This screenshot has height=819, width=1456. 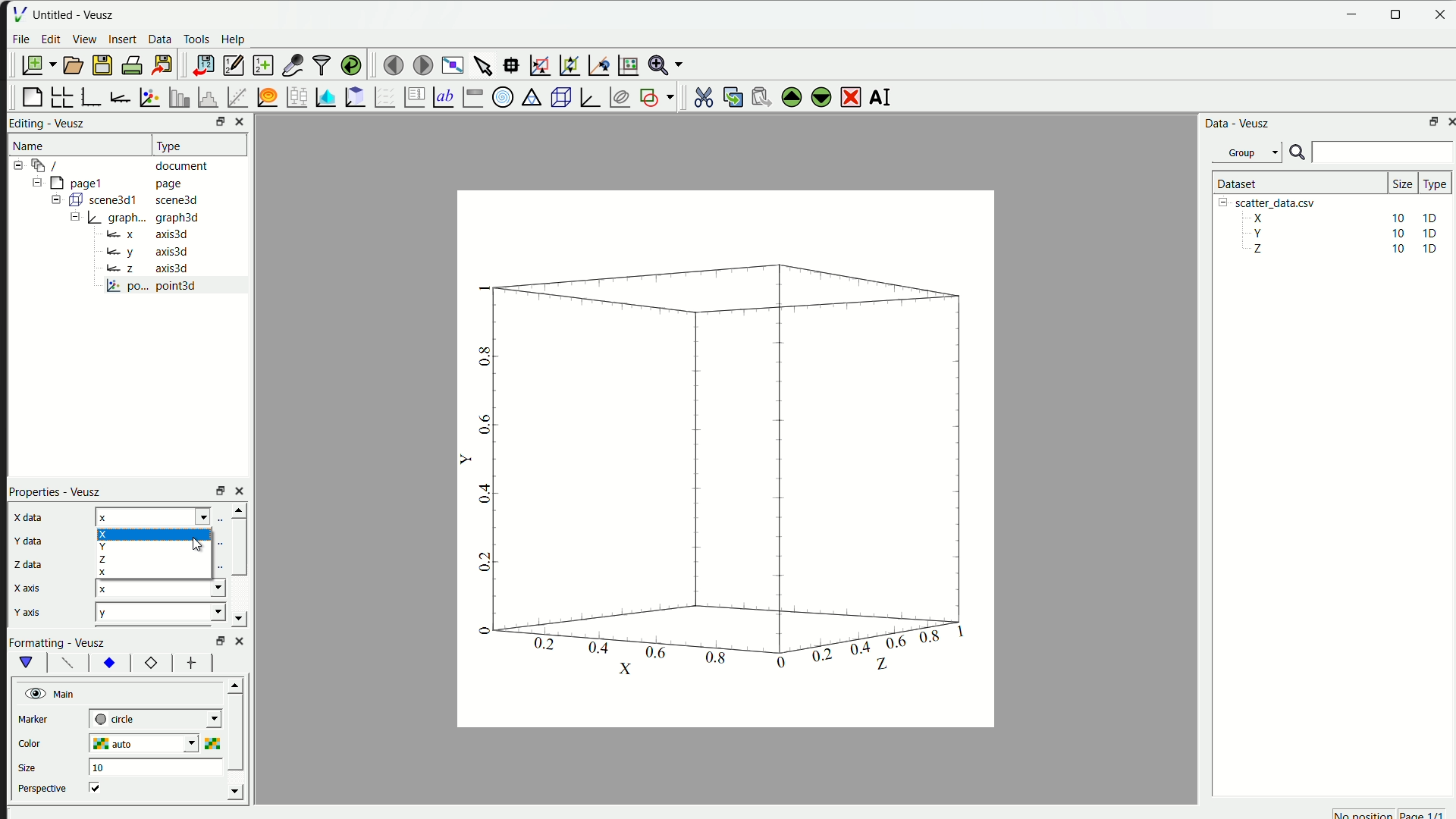 I want to click on maximize, so click(x=1430, y=120).